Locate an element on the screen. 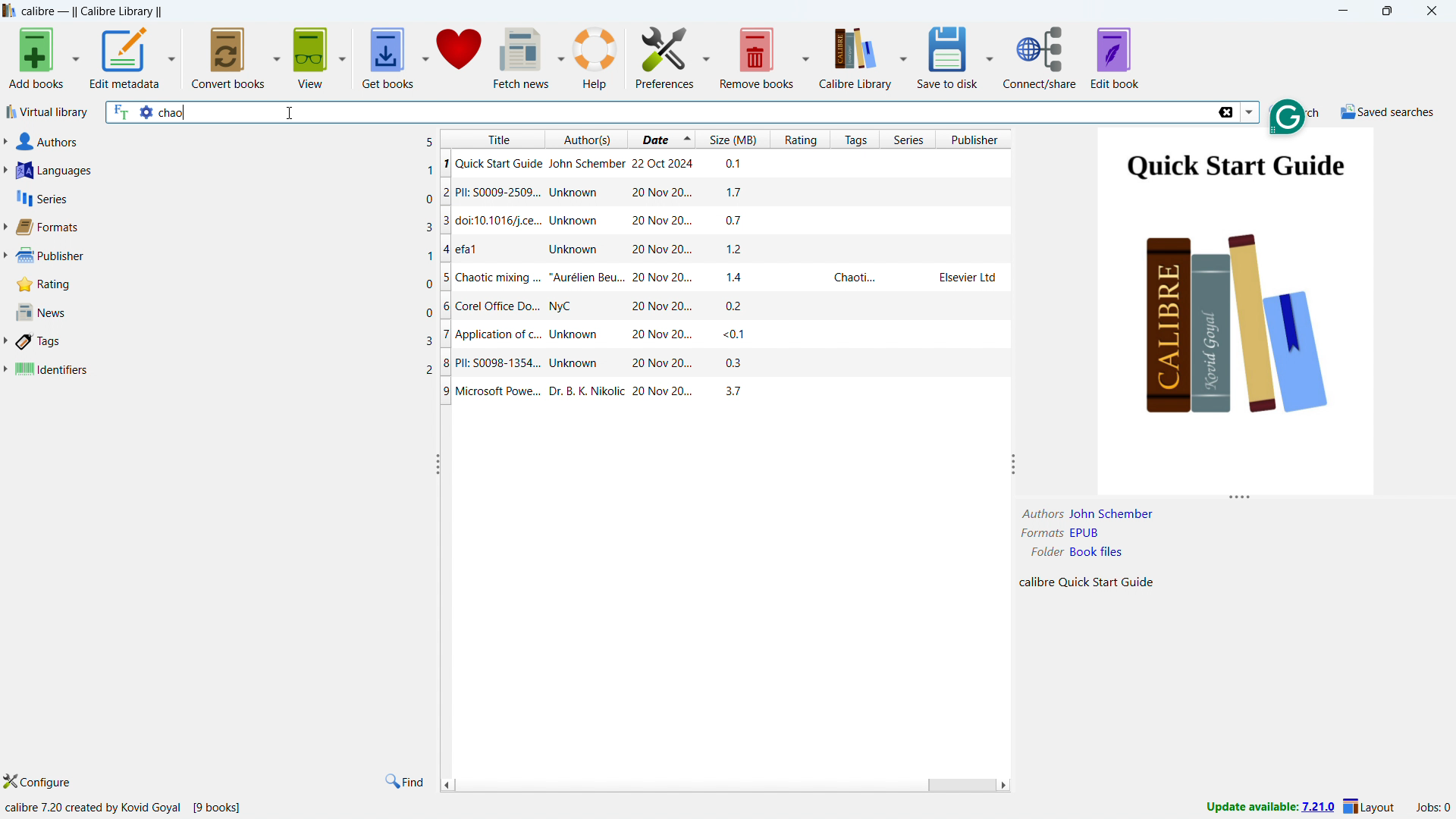  chao is located at coordinates (186, 112).